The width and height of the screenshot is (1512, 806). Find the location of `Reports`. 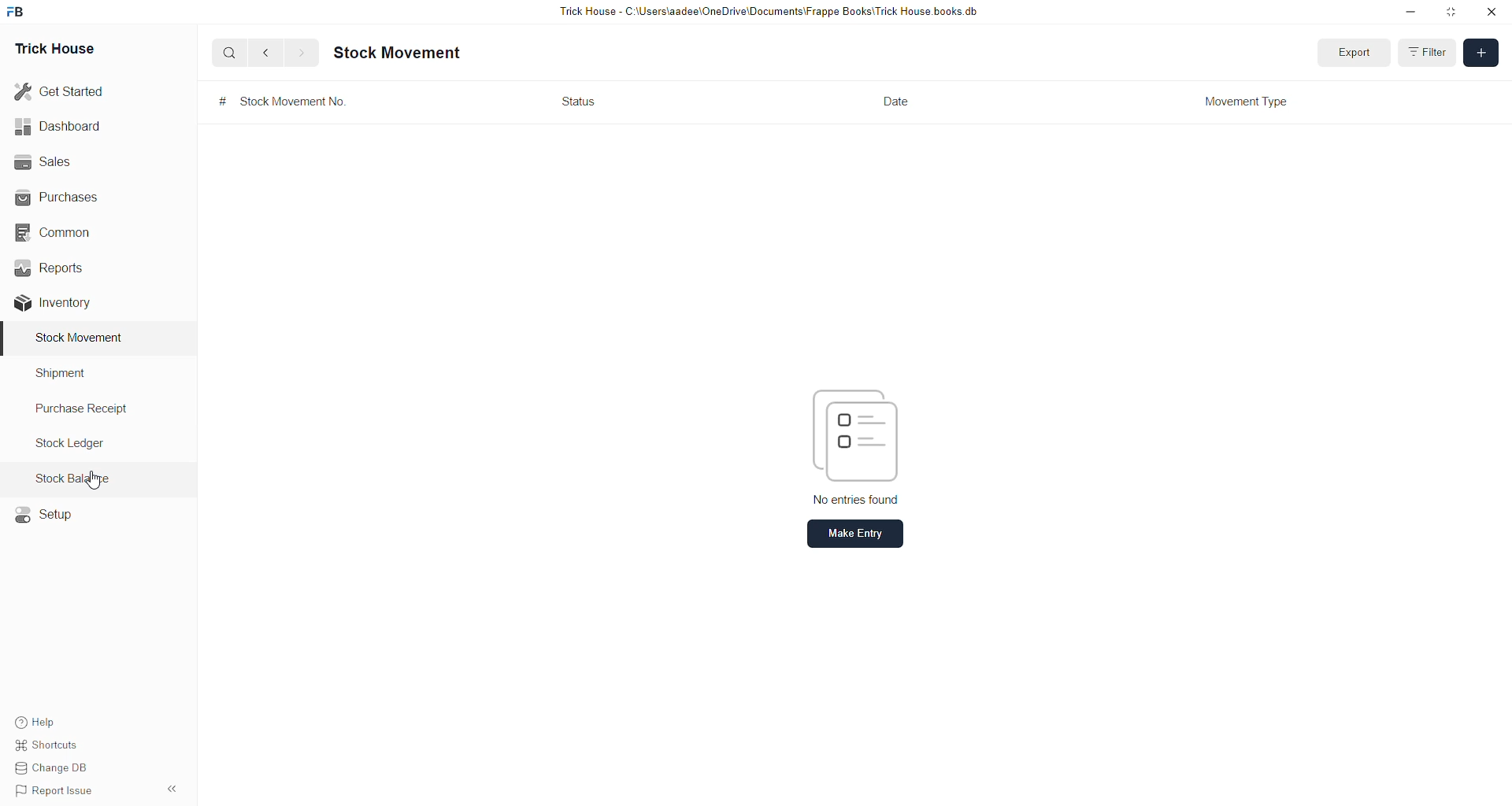

Reports is located at coordinates (50, 273).